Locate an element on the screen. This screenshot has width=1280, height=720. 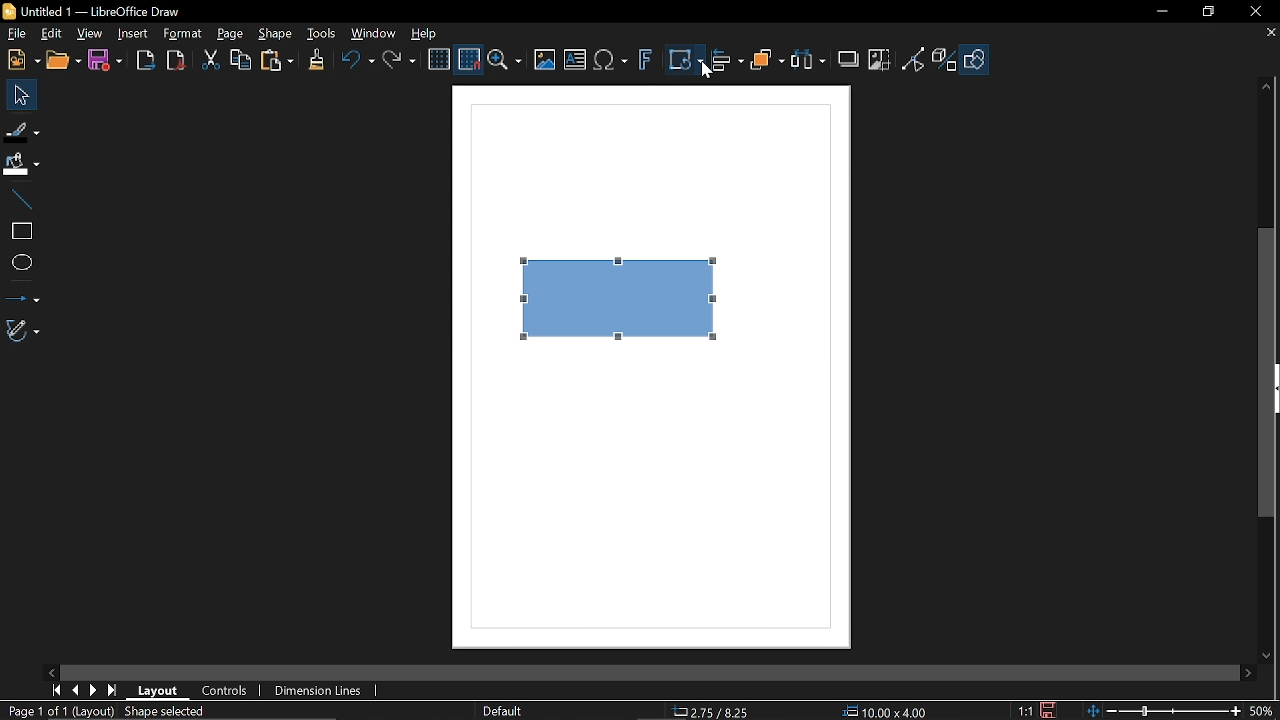
Cursor is located at coordinates (704, 74).